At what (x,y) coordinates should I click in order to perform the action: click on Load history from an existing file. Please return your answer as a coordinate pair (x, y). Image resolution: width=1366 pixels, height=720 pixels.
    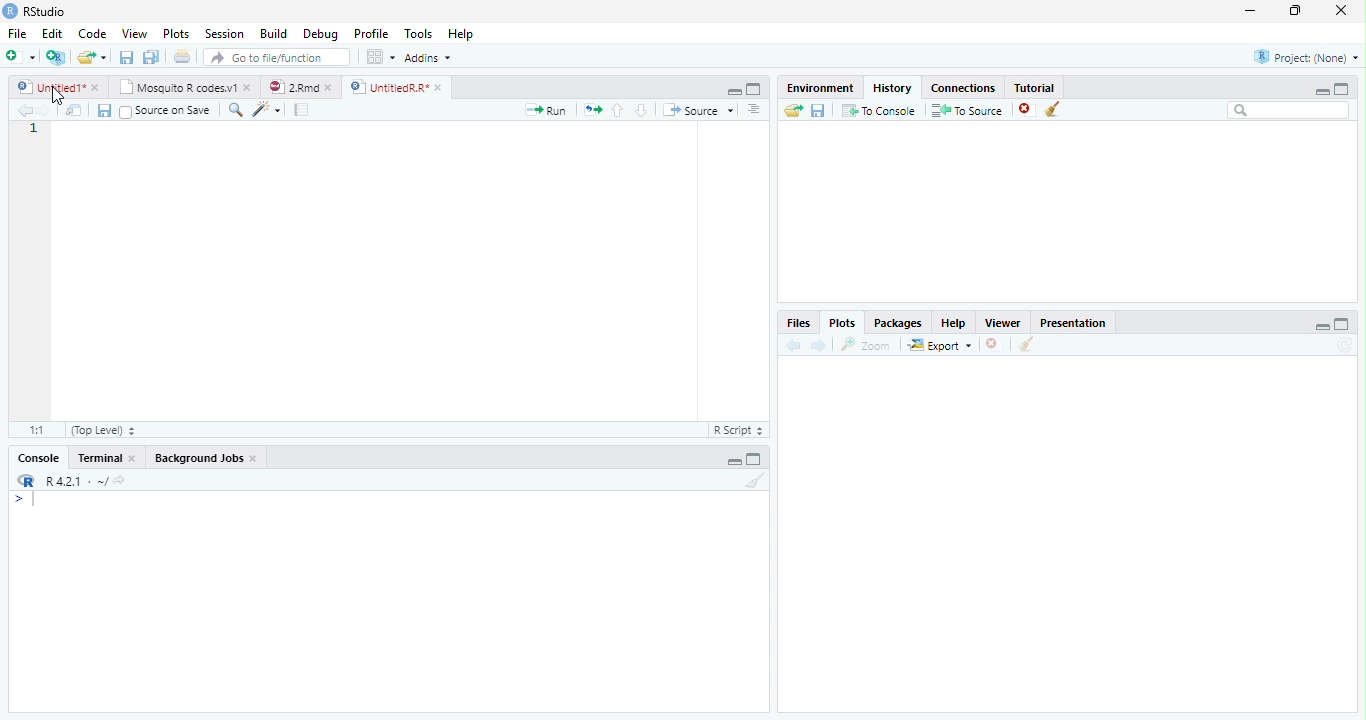
    Looking at the image, I should click on (792, 111).